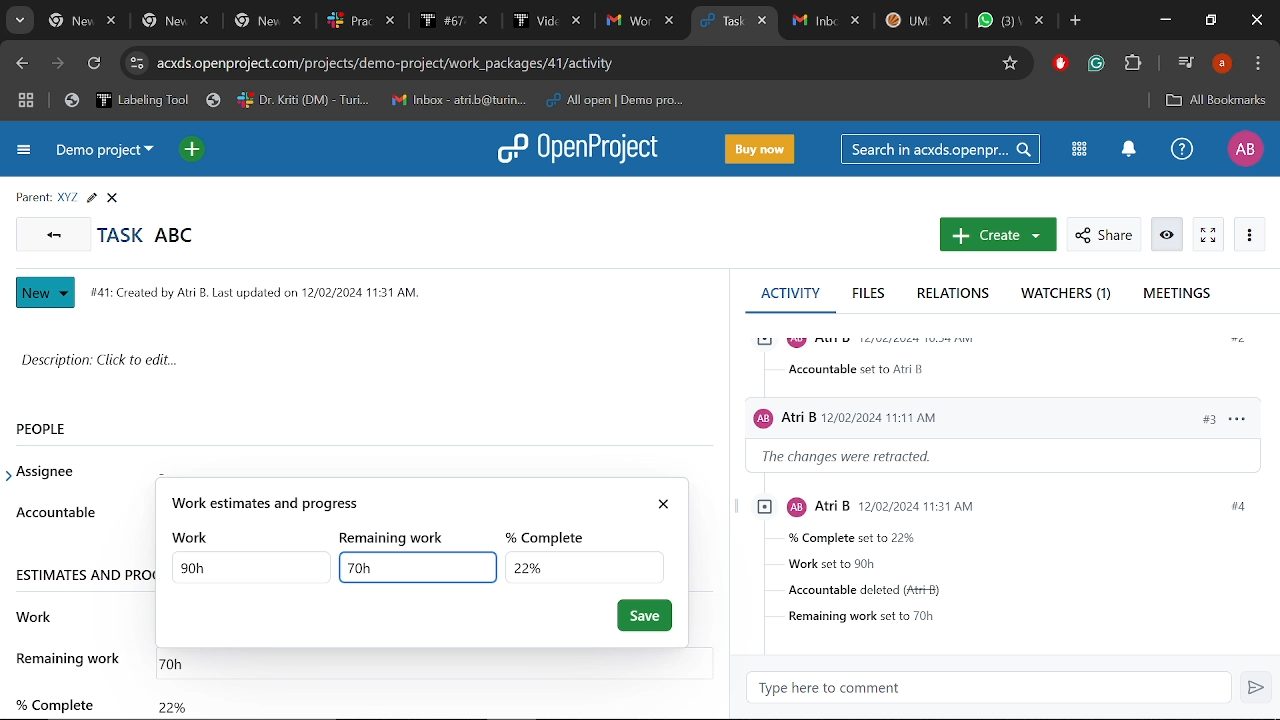  What do you see at coordinates (194, 537) in the screenshot?
I see `work` at bounding box center [194, 537].